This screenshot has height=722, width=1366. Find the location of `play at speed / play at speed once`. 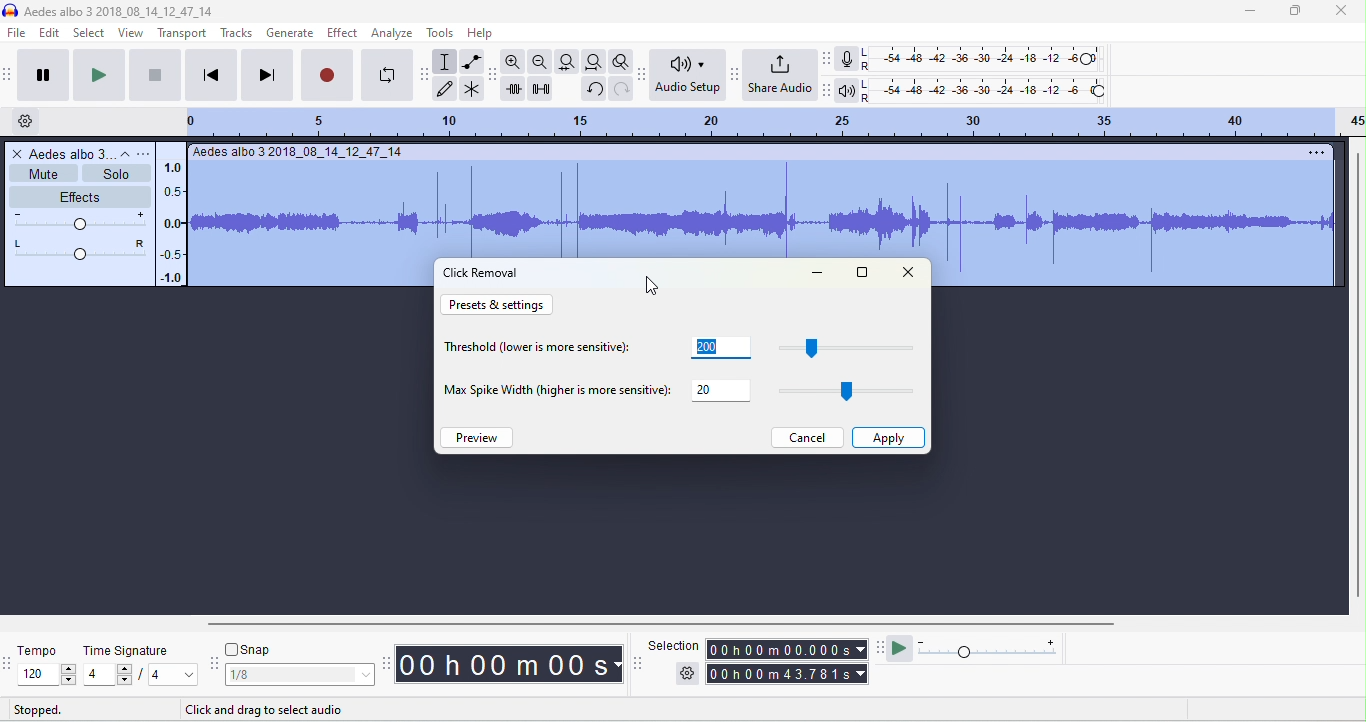

play at speed / play at speed once is located at coordinates (899, 650).